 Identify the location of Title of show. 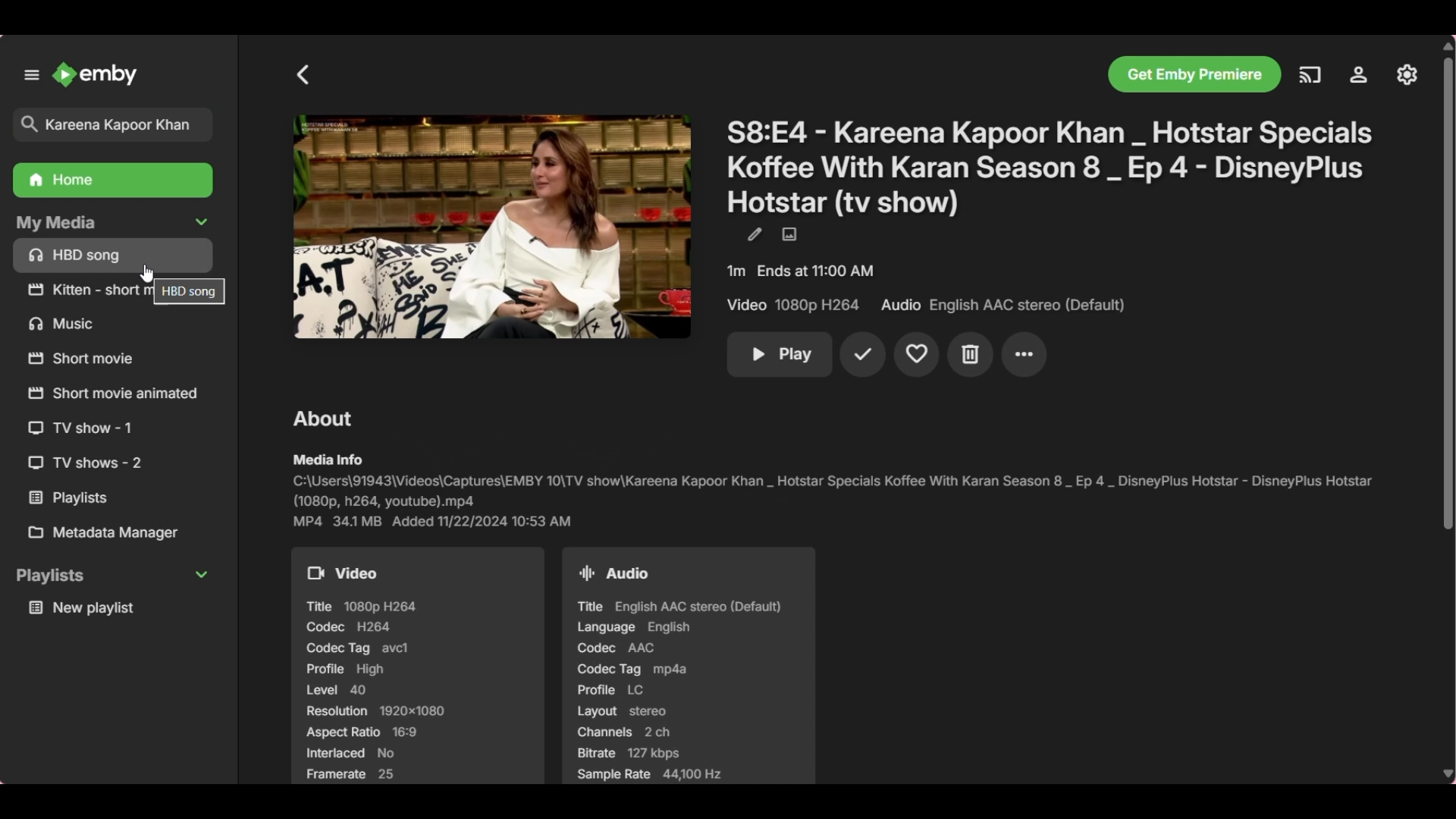
(1049, 168).